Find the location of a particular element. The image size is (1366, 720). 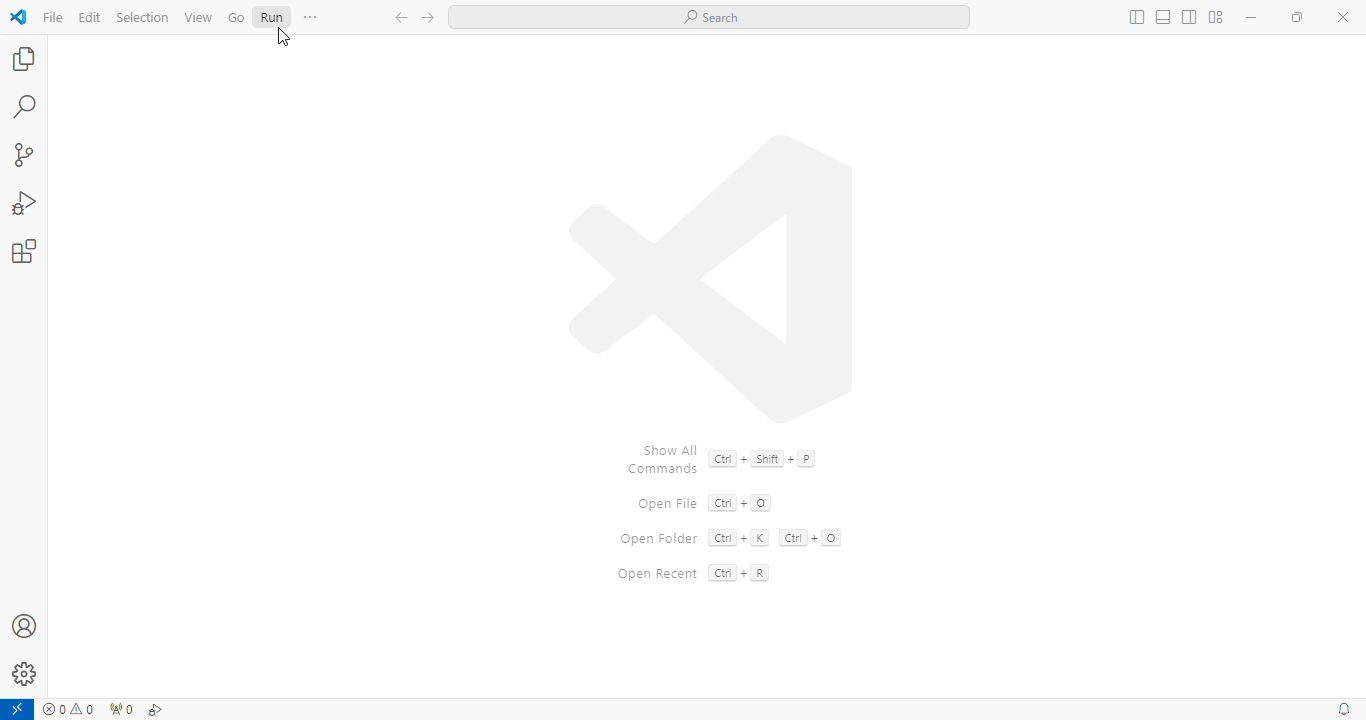

open recent is located at coordinates (657, 574).